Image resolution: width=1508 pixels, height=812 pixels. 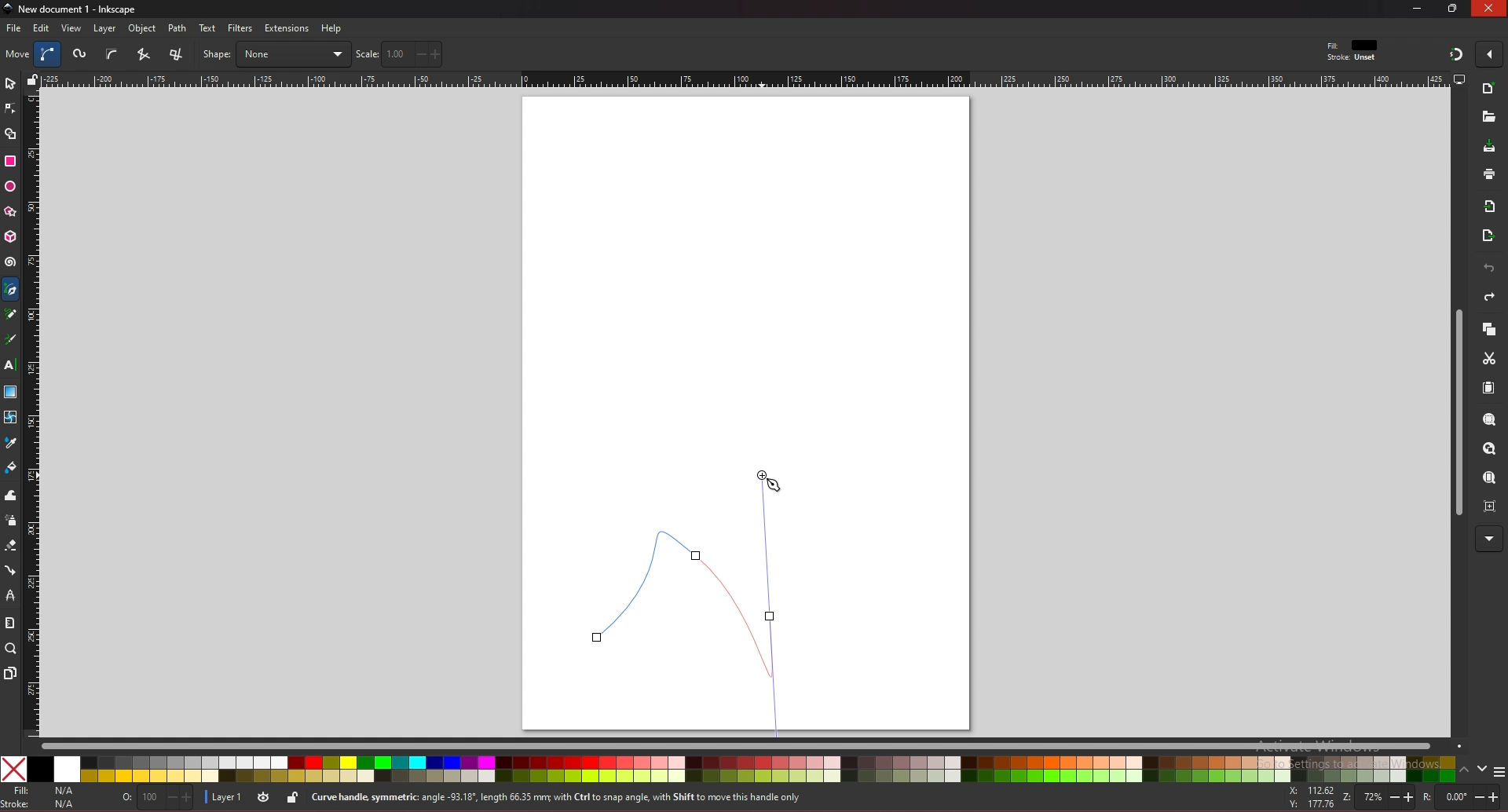 What do you see at coordinates (49, 54) in the screenshot?
I see `bezier curve` at bounding box center [49, 54].